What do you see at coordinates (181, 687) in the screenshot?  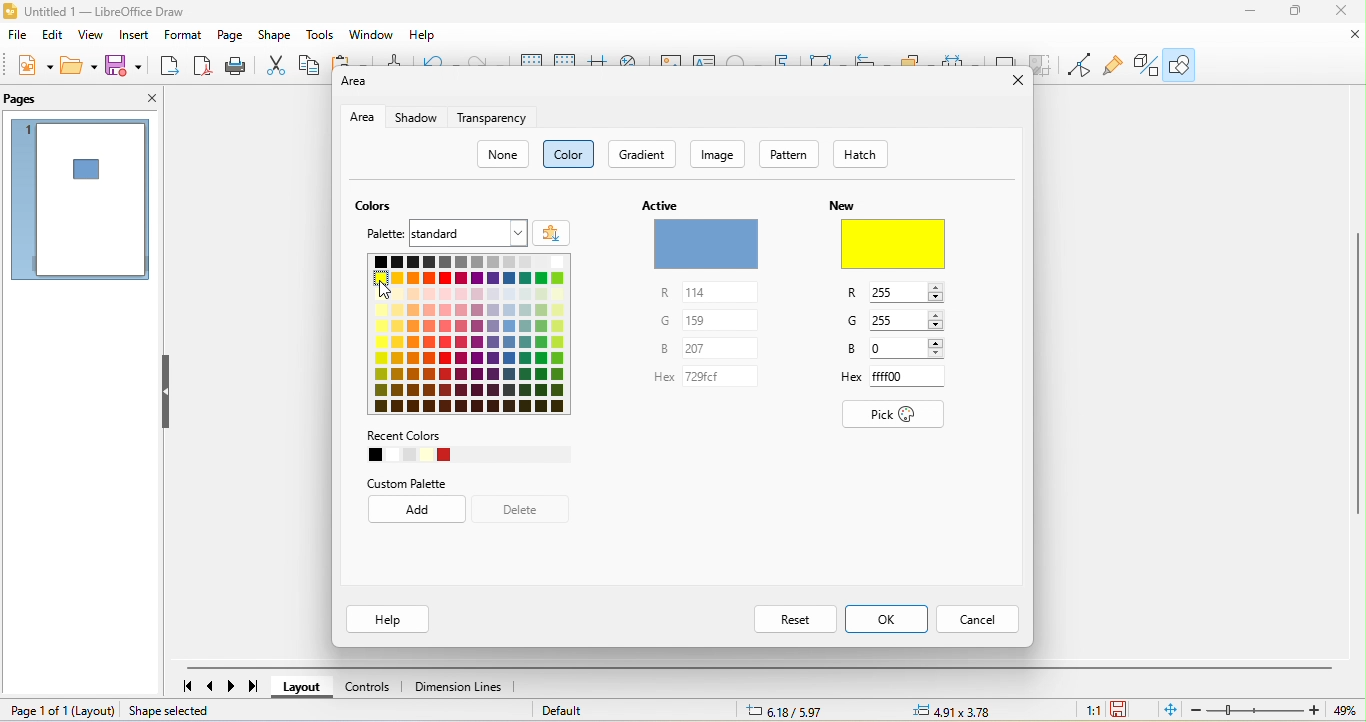 I see `first page` at bounding box center [181, 687].